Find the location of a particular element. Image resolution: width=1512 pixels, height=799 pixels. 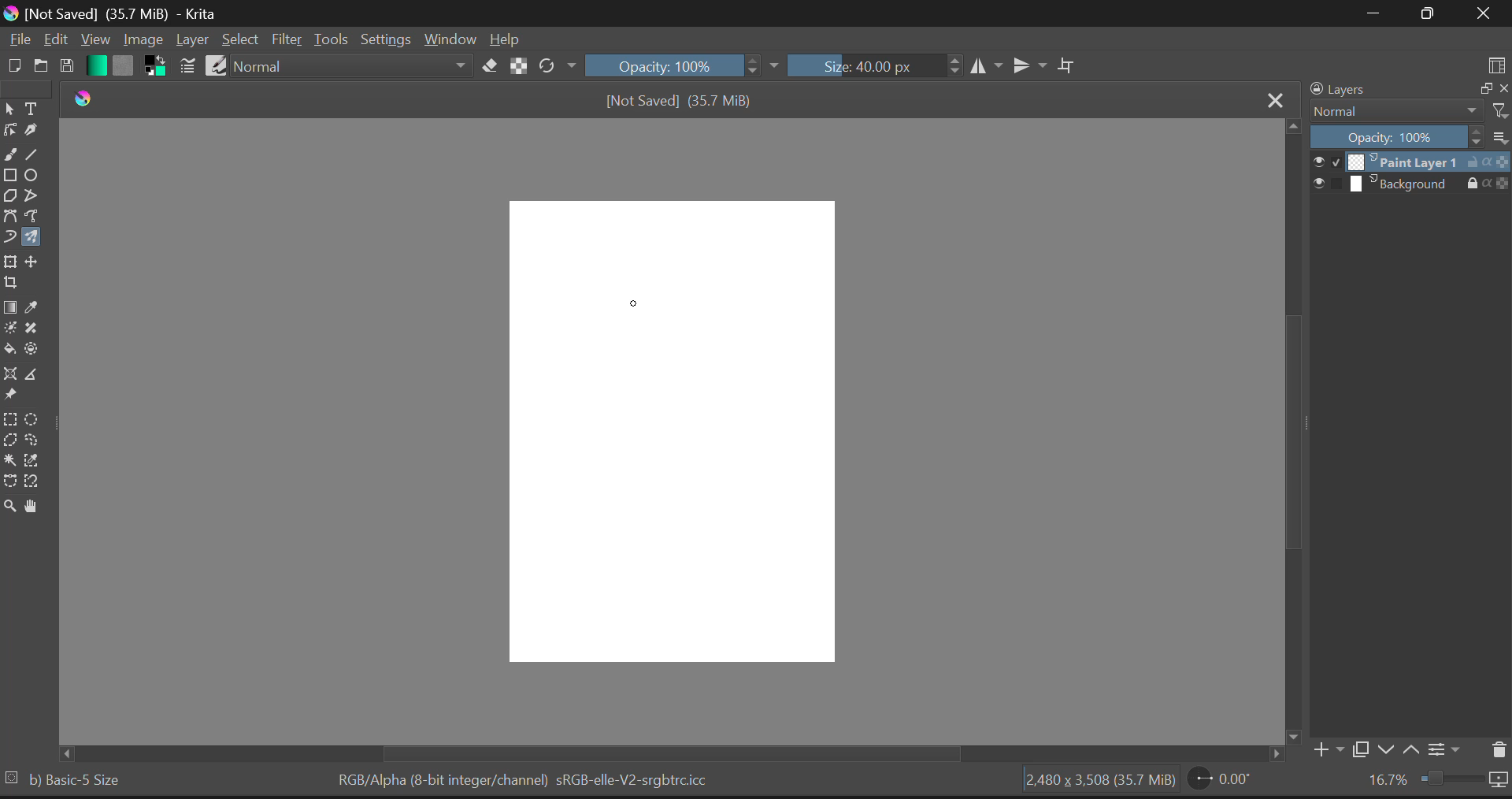

Ellipses is located at coordinates (34, 175).